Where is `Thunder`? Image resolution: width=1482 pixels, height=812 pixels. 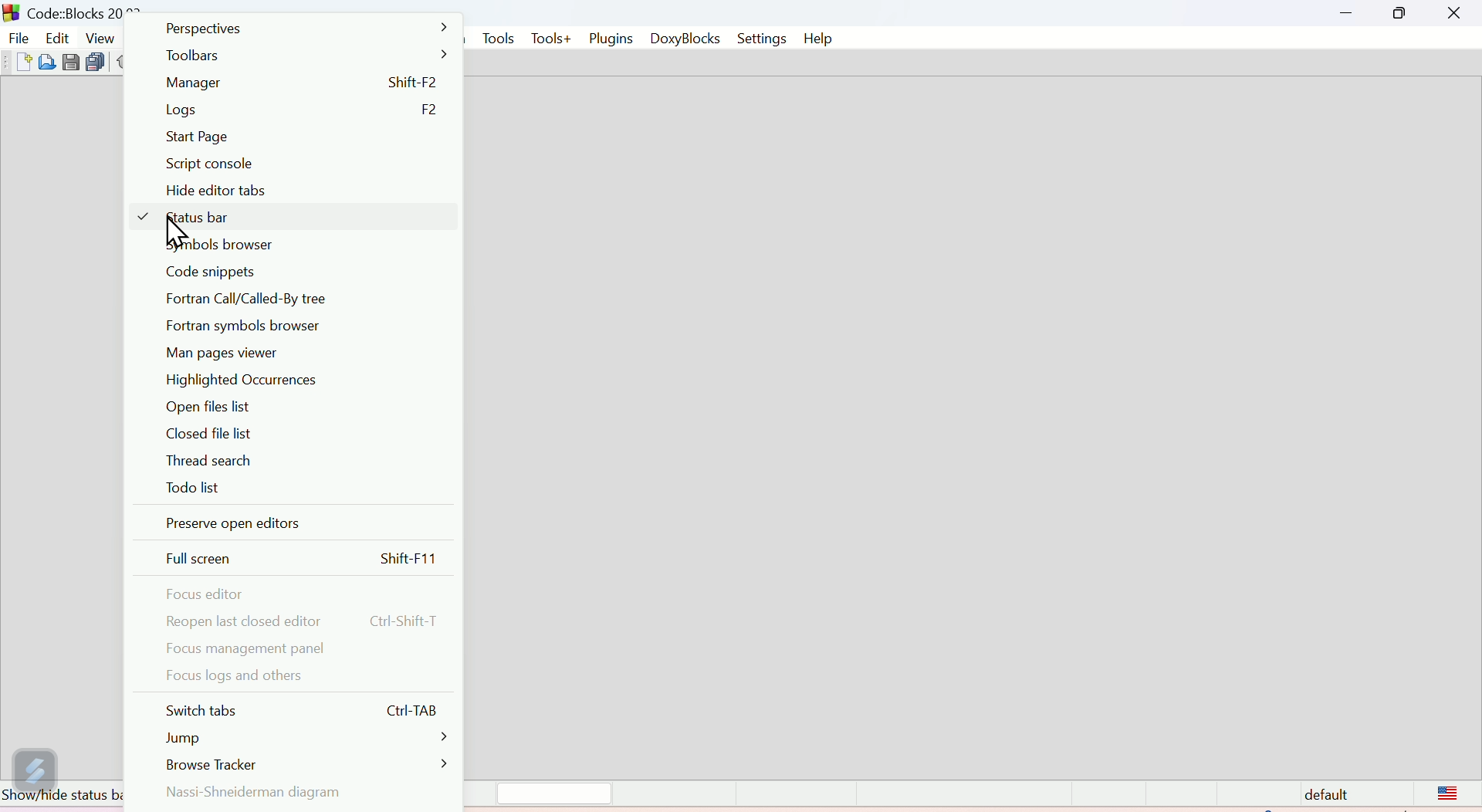 Thunder is located at coordinates (33, 764).